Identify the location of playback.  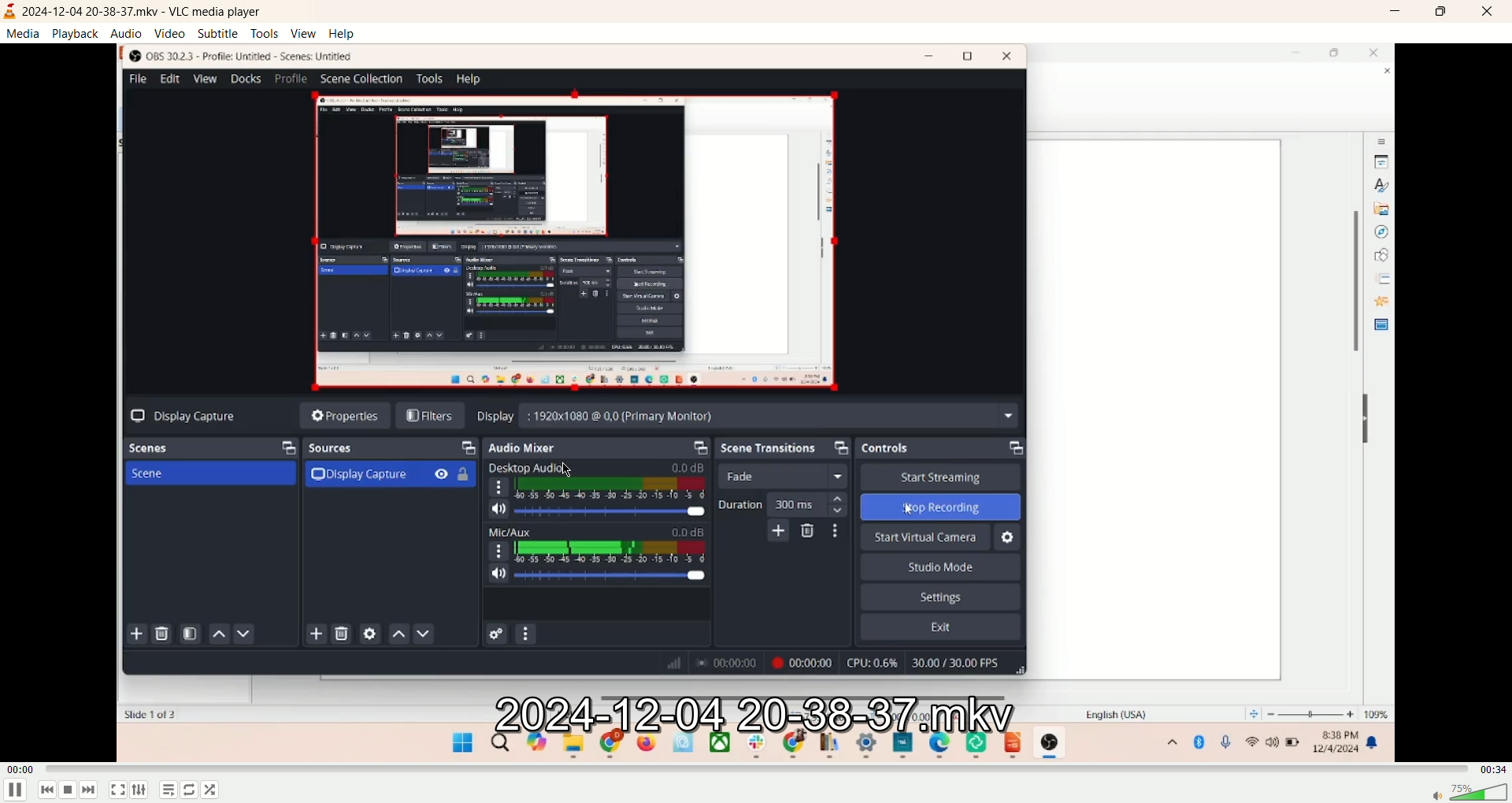
(76, 33).